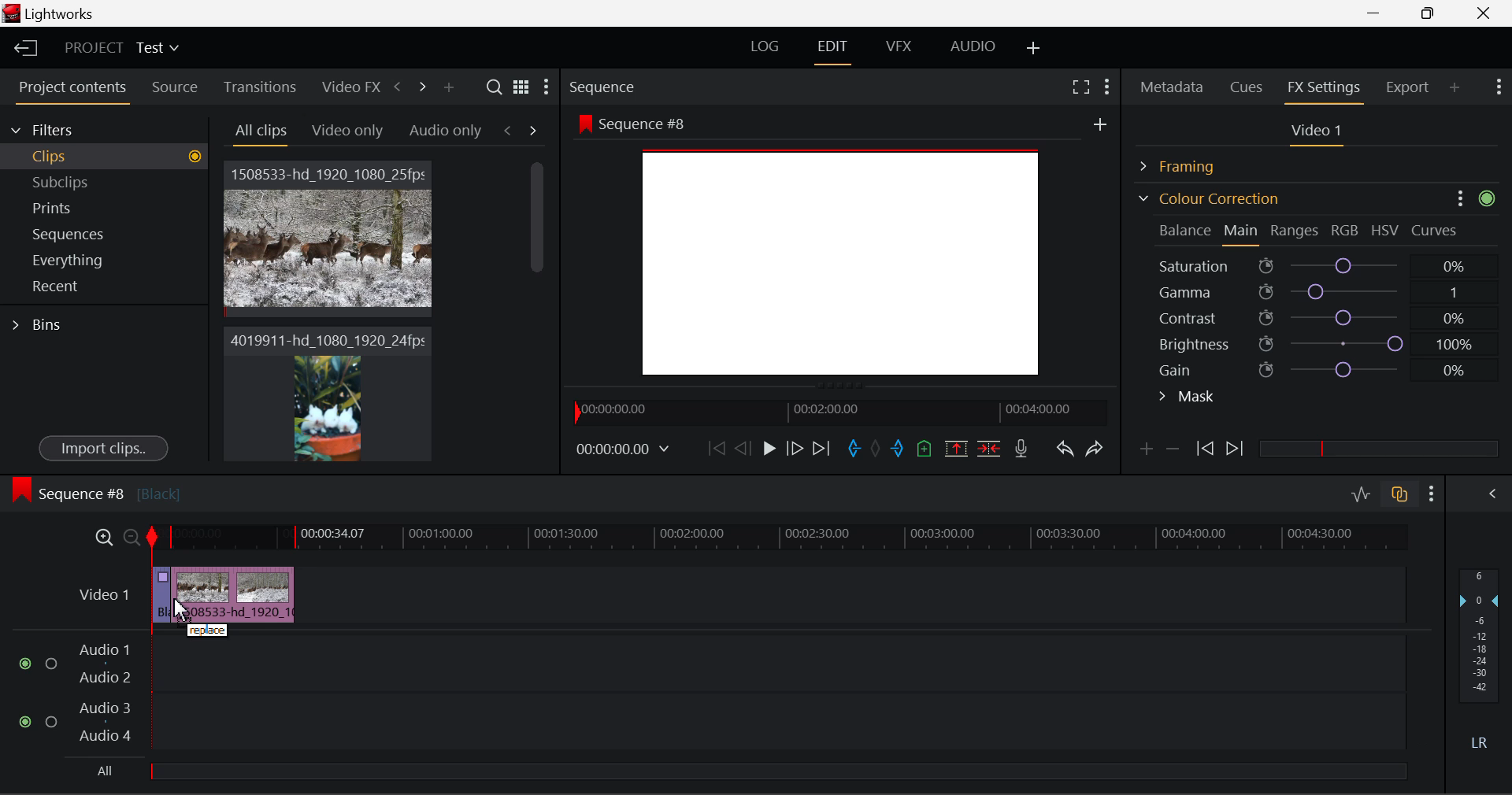  Describe the element at coordinates (131, 537) in the screenshot. I see `Timeline Zoom Out` at that location.